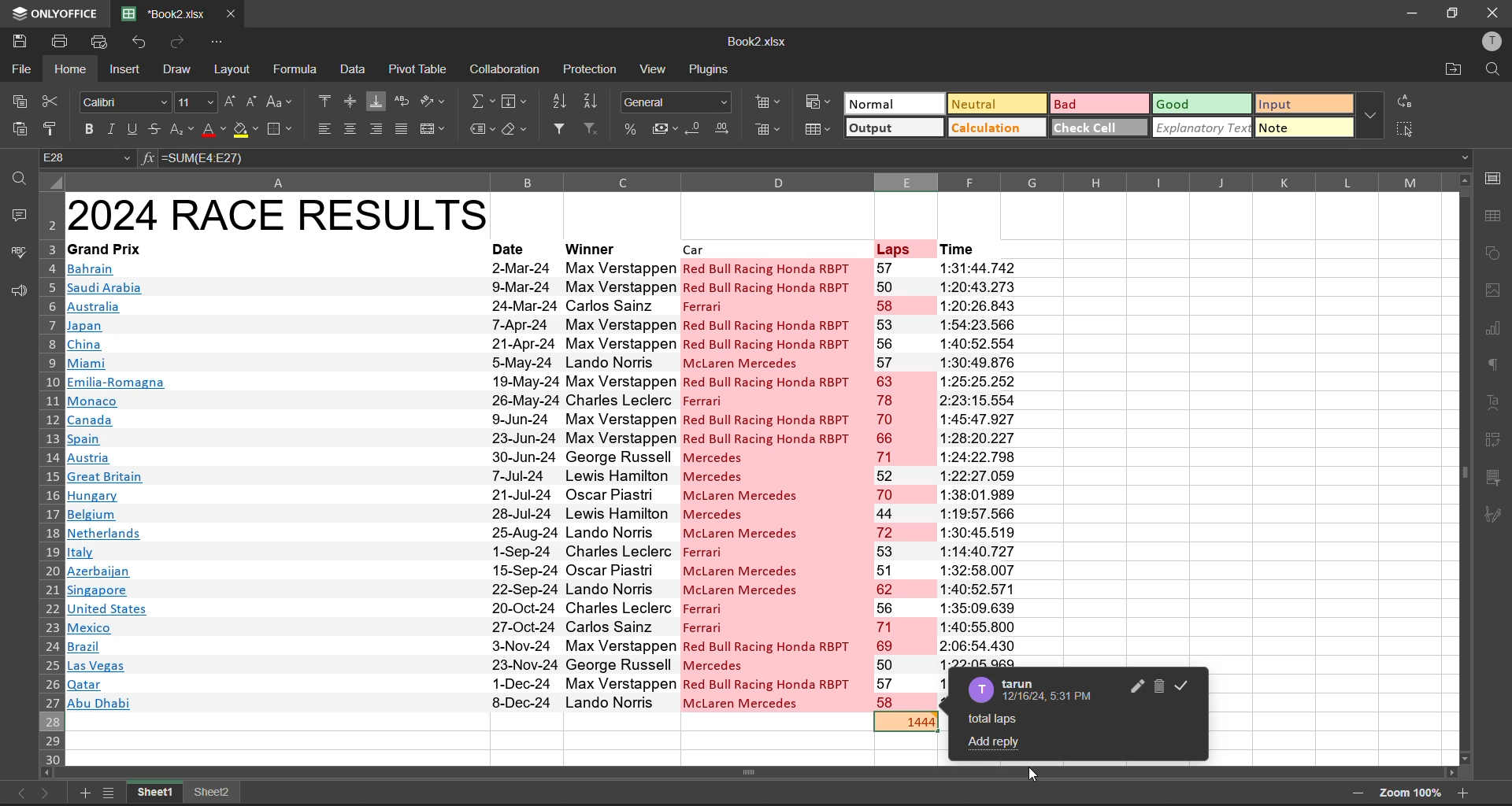 This screenshot has width=1512, height=806. Describe the element at coordinates (280, 214) in the screenshot. I see `2024 race results` at that location.